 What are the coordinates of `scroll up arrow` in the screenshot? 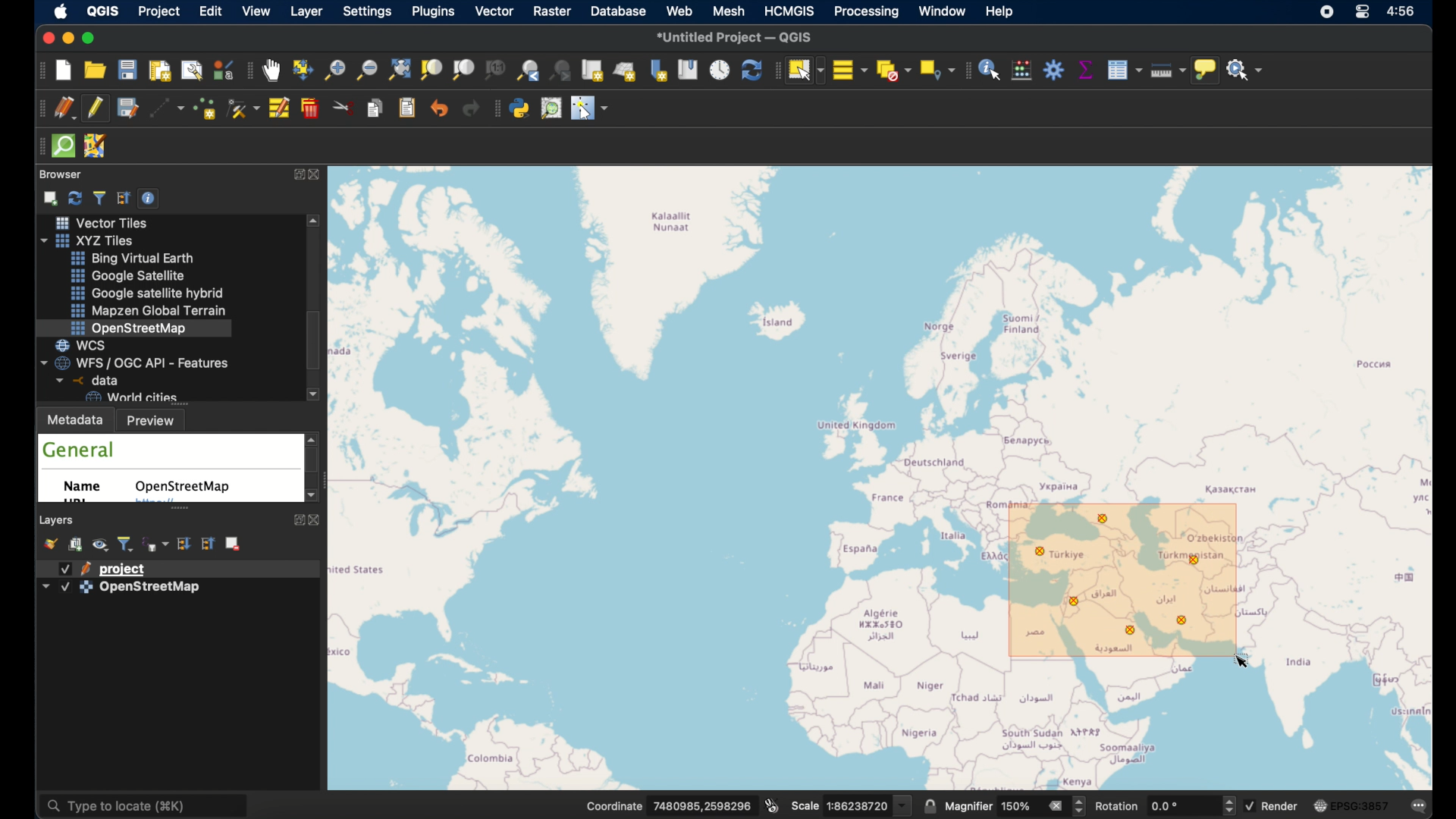 It's located at (315, 221).